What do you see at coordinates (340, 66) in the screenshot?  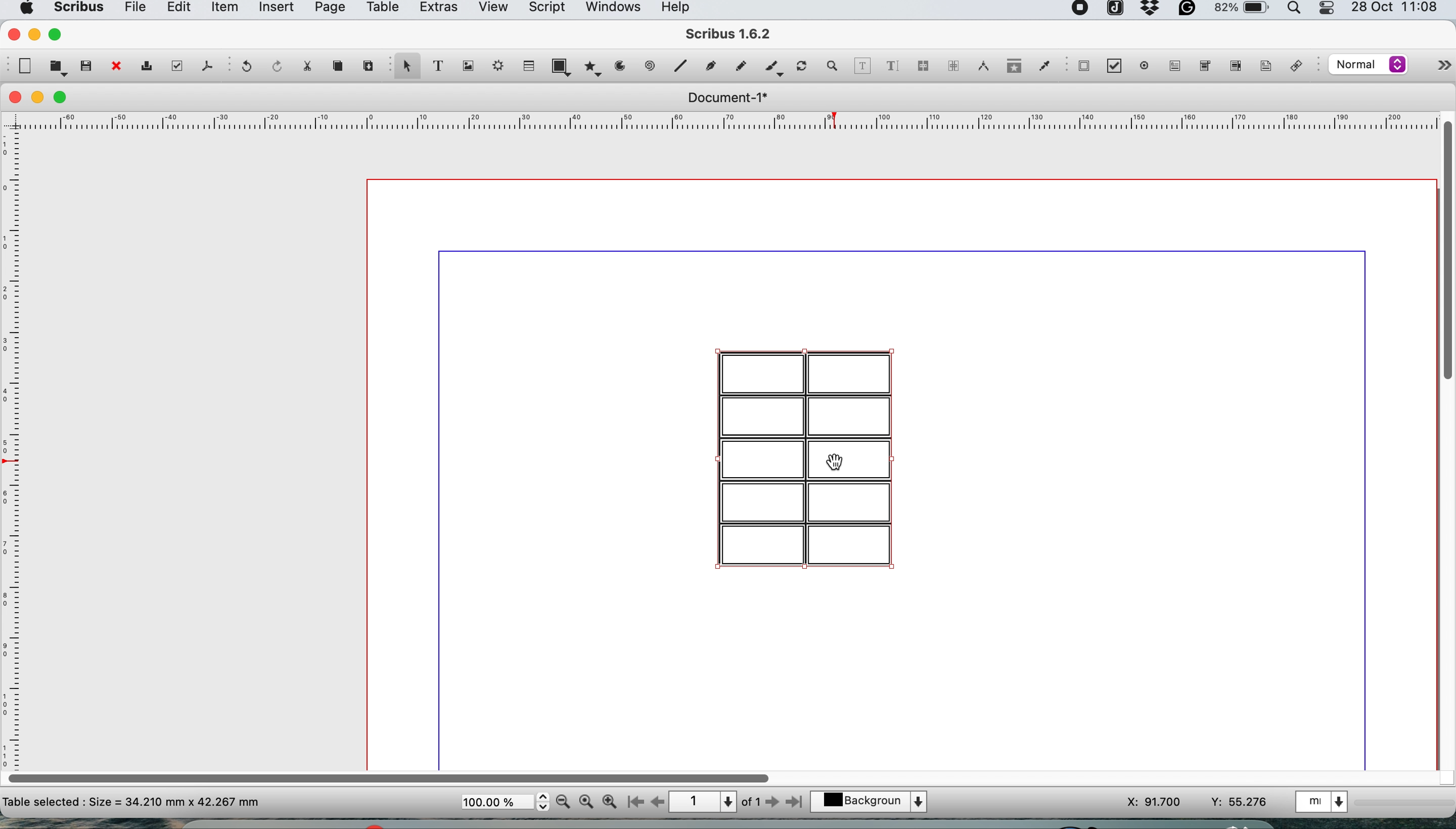 I see `copy` at bounding box center [340, 66].